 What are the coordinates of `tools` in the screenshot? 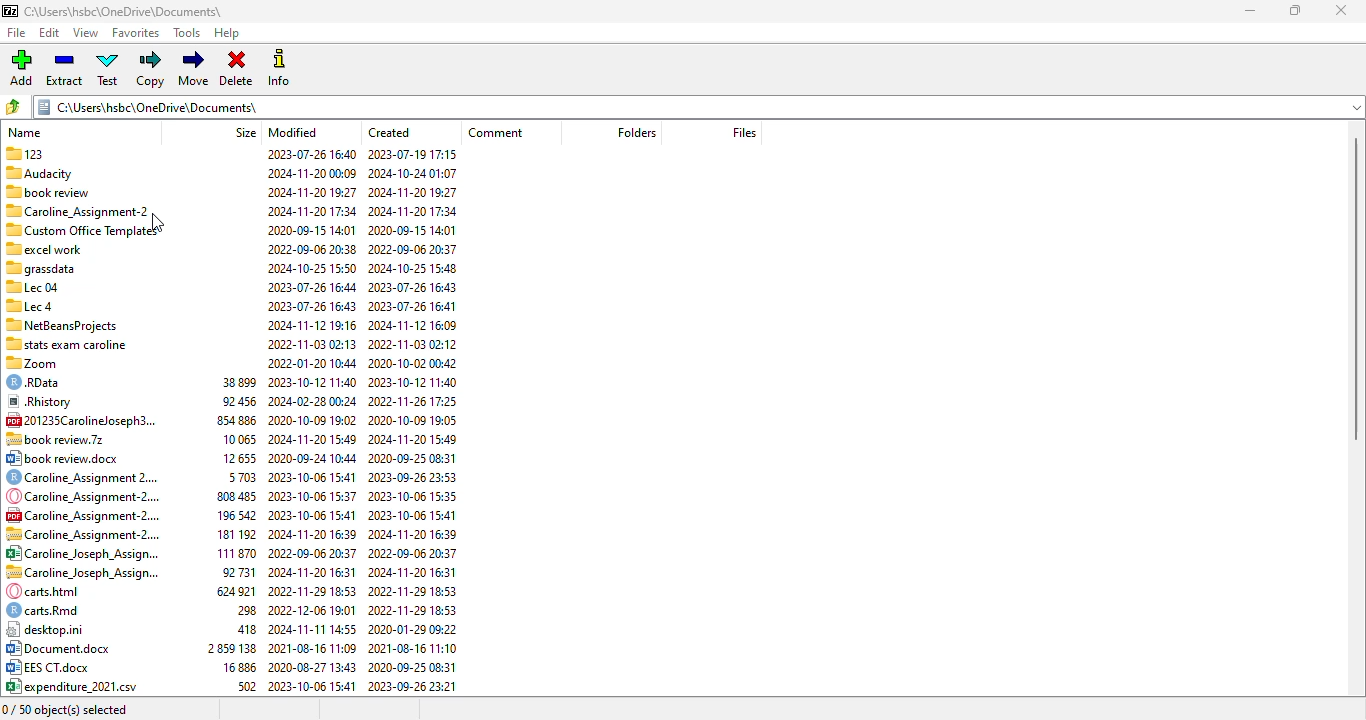 It's located at (187, 33).